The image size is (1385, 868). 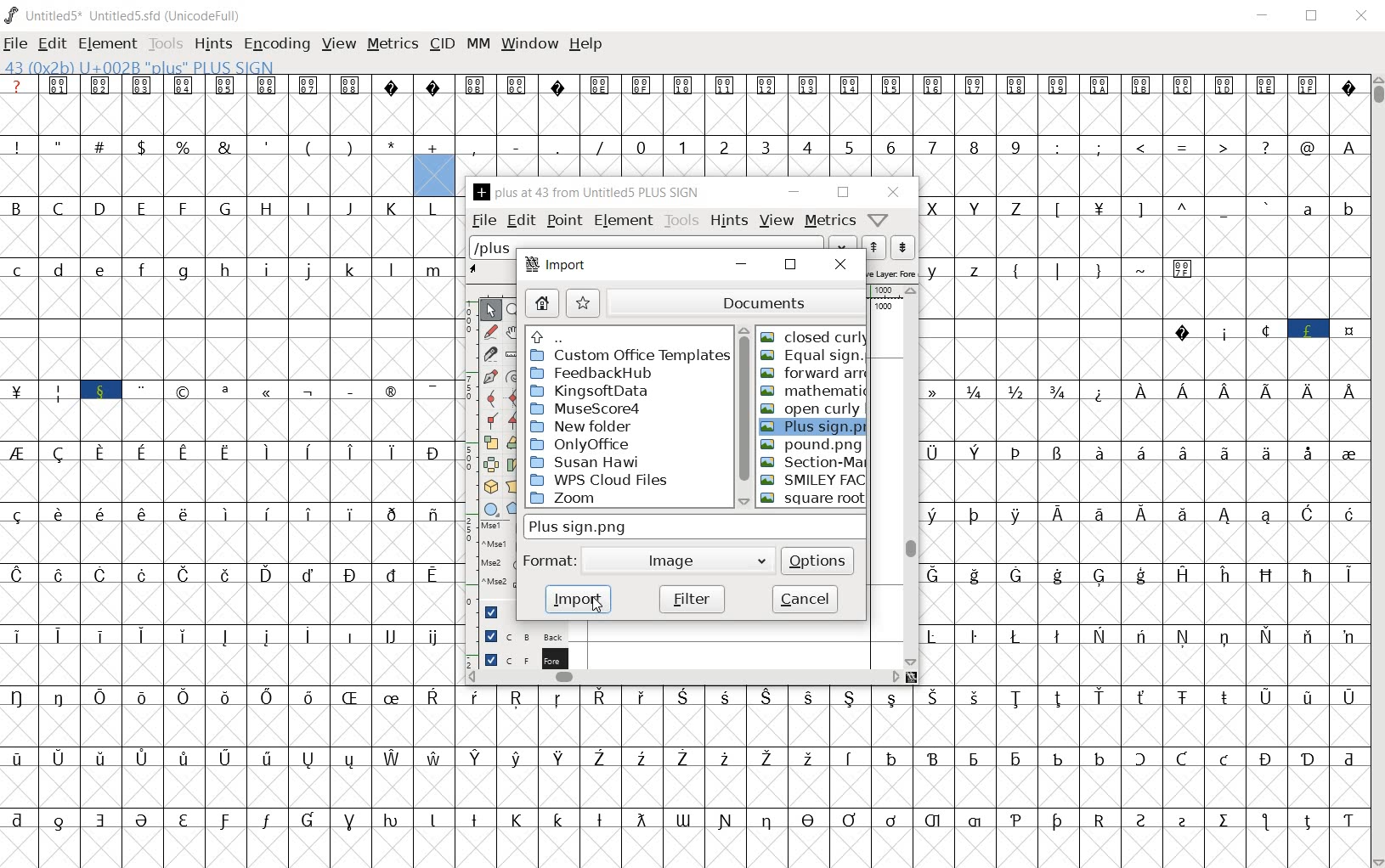 I want to click on window, so click(x=529, y=45).